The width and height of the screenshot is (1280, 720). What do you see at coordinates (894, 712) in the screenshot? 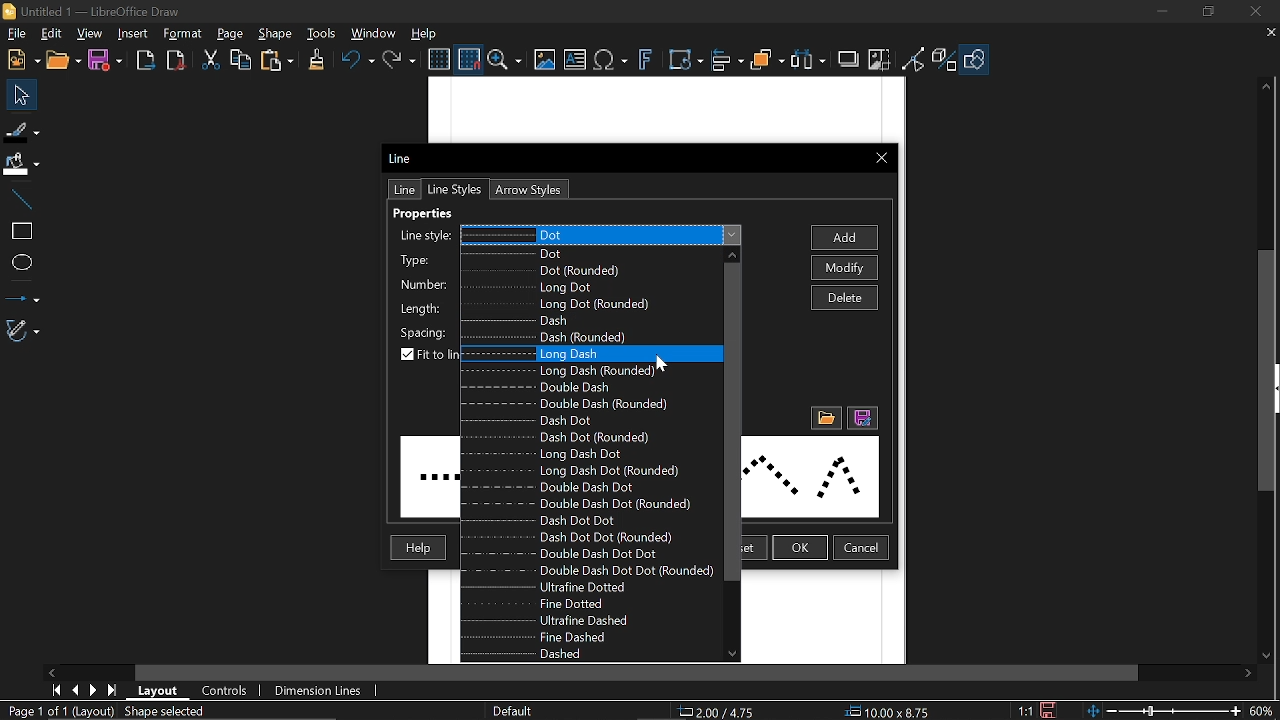
I see `Size` at bounding box center [894, 712].